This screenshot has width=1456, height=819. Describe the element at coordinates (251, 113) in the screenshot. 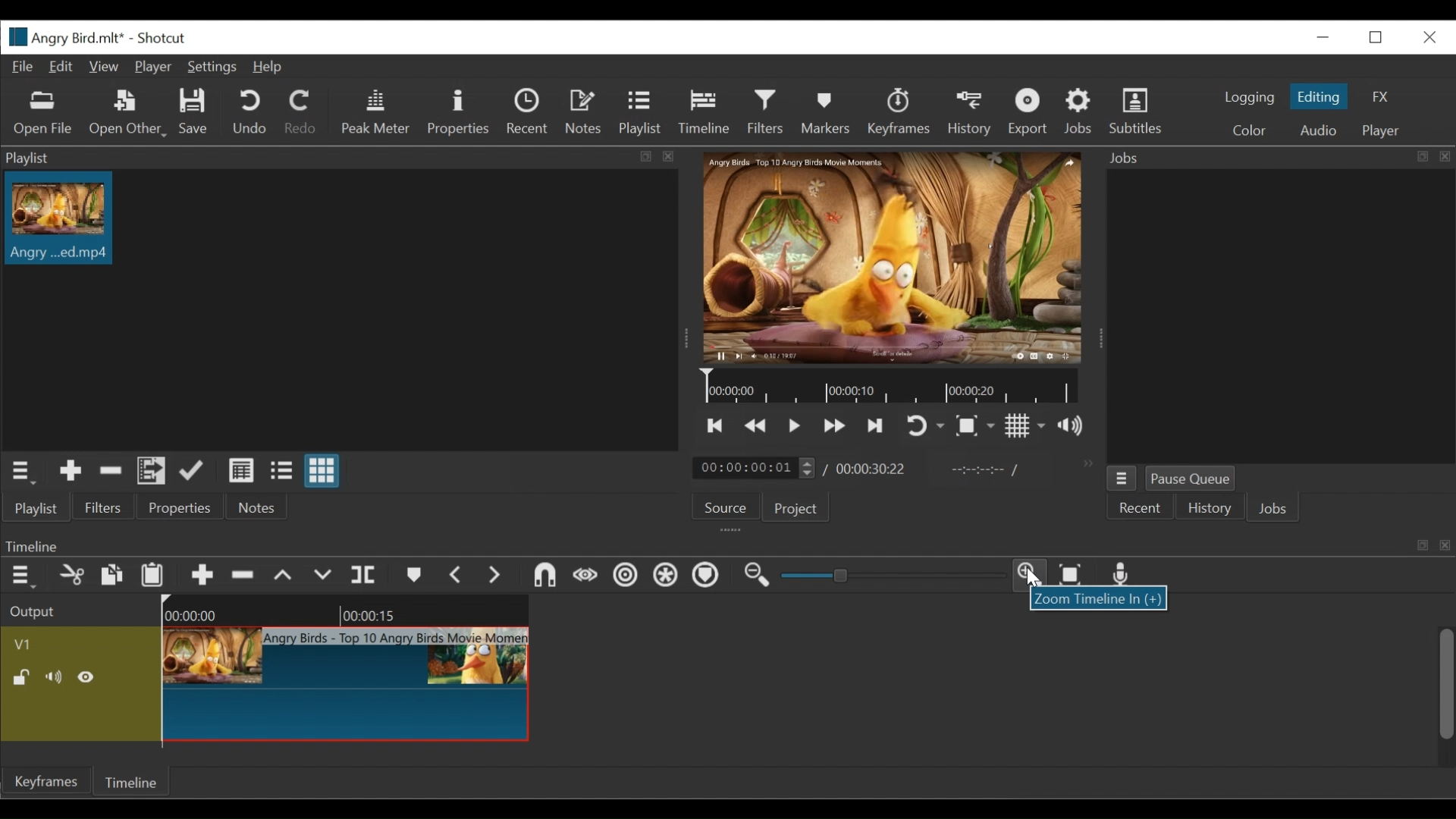

I see `Undo` at that location.